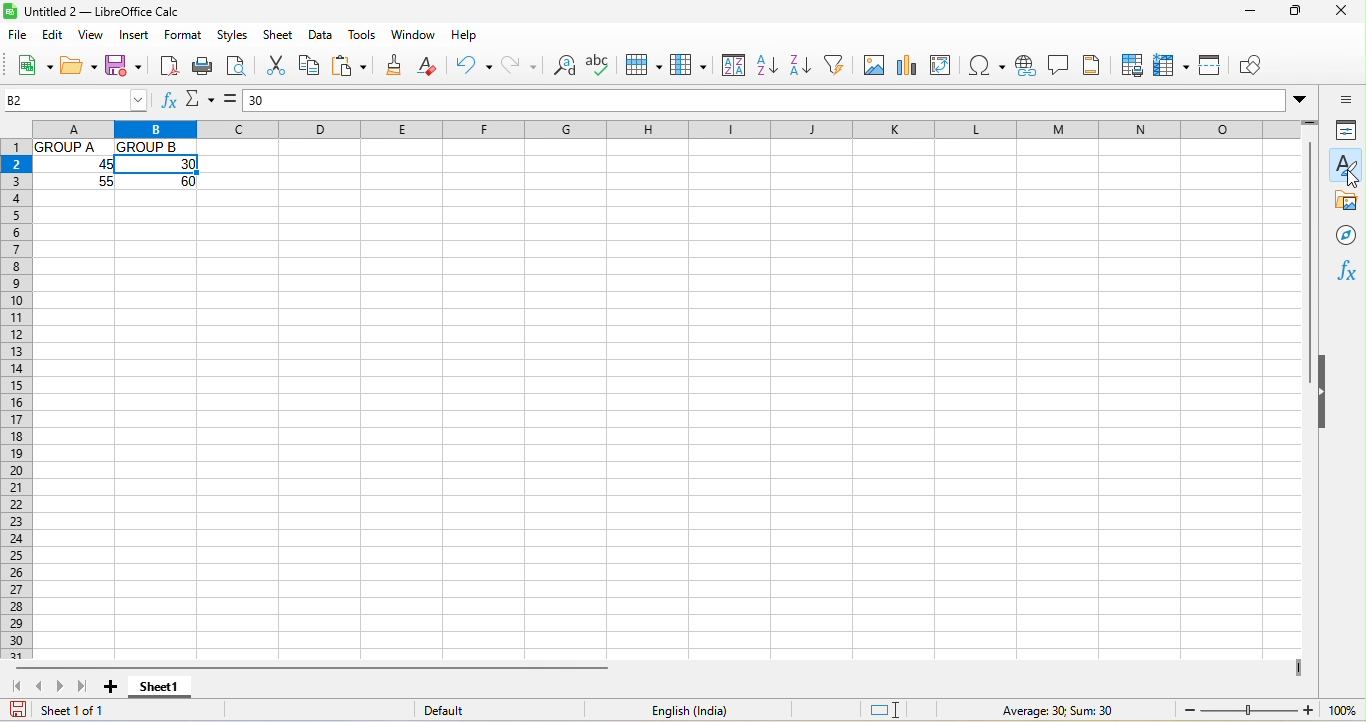  Describe the element at coordinates (86, 689) in the screenshot. I see `last sheet` at that location.